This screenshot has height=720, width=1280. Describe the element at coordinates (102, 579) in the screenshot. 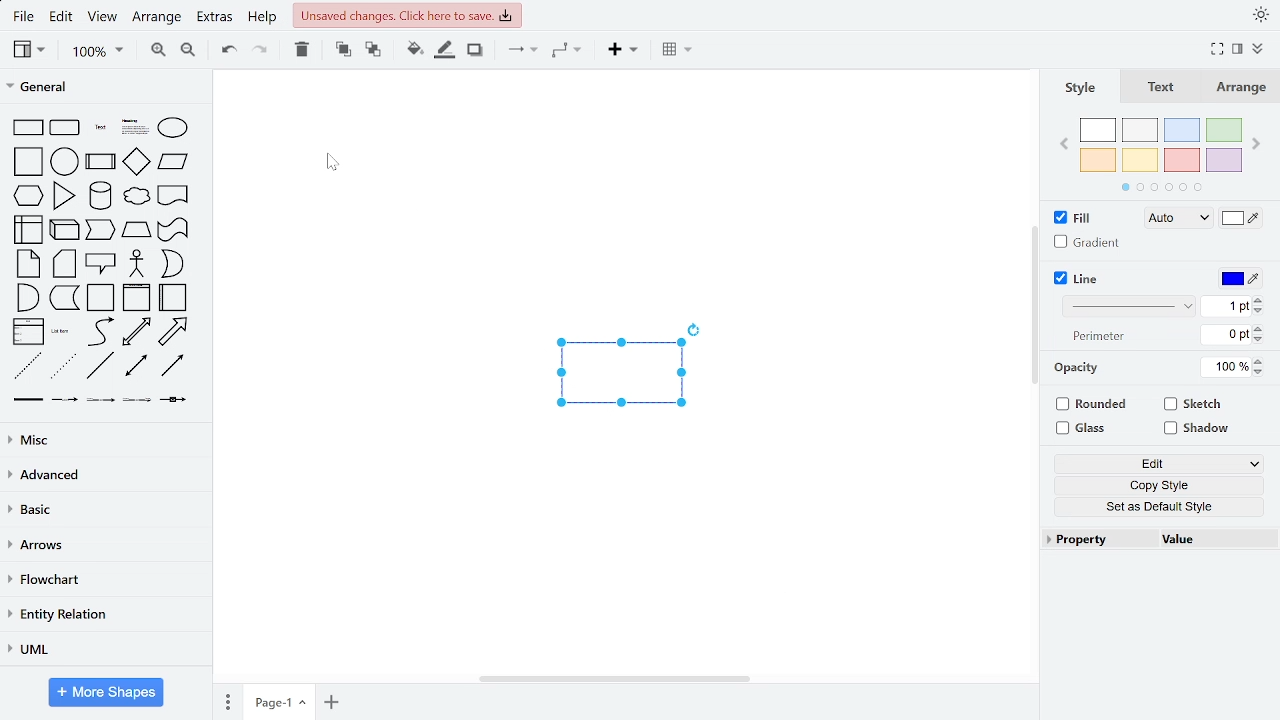

I see `flowchart` at that location.